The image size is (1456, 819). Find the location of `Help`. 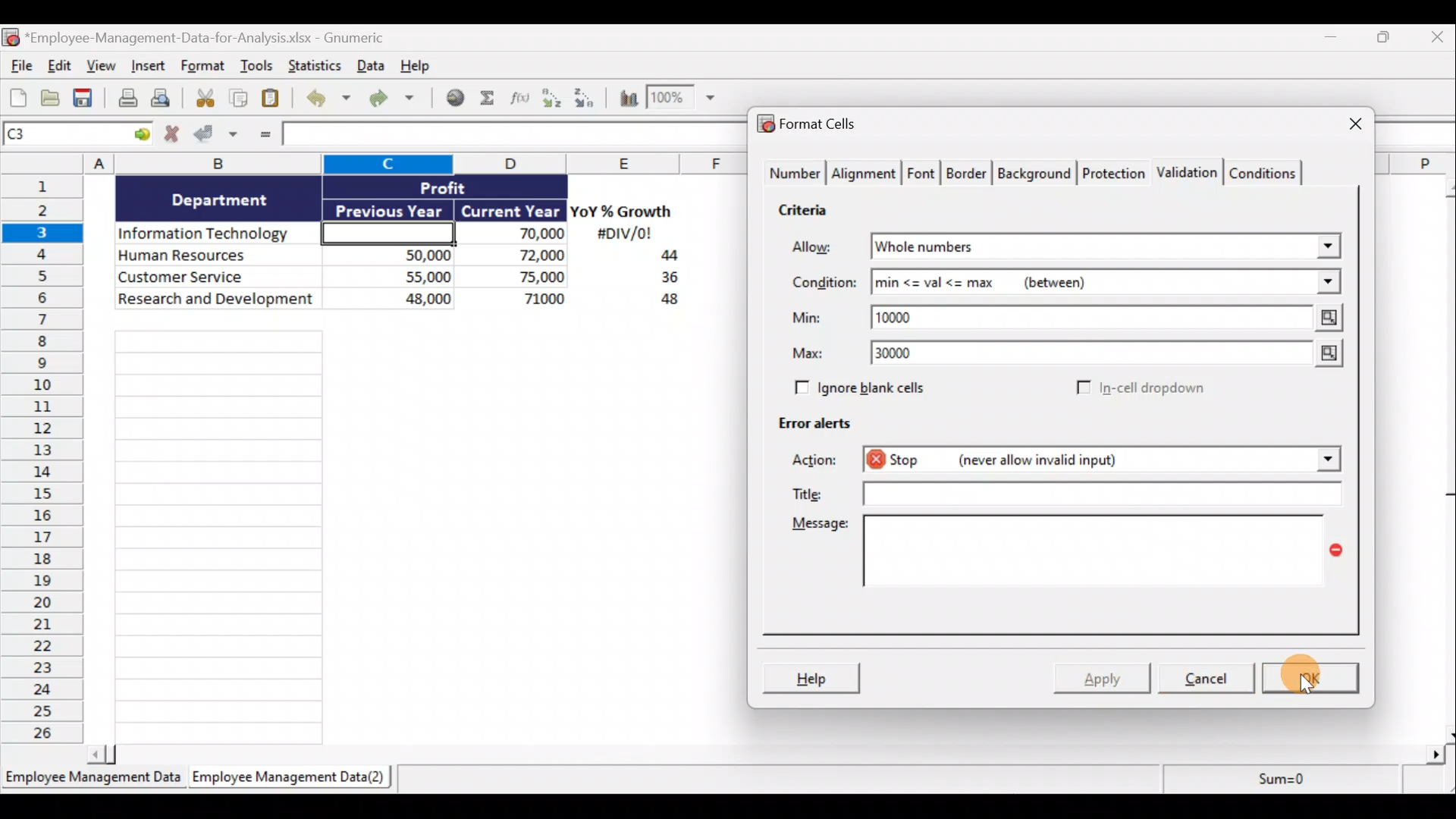

Help is located at coordinates (420, 64).